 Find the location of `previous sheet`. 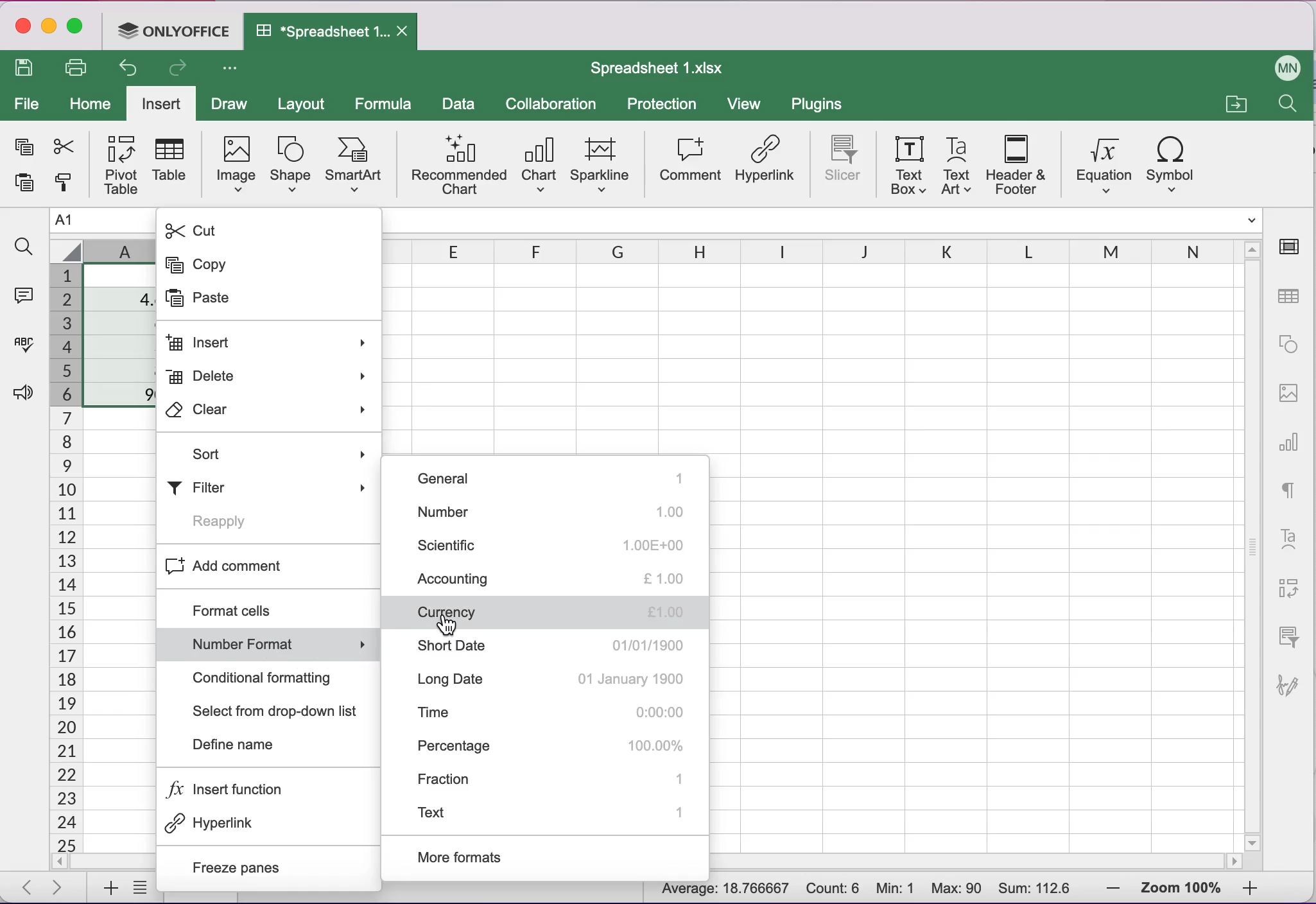

previous sheet is located at coordinates (30, 889).